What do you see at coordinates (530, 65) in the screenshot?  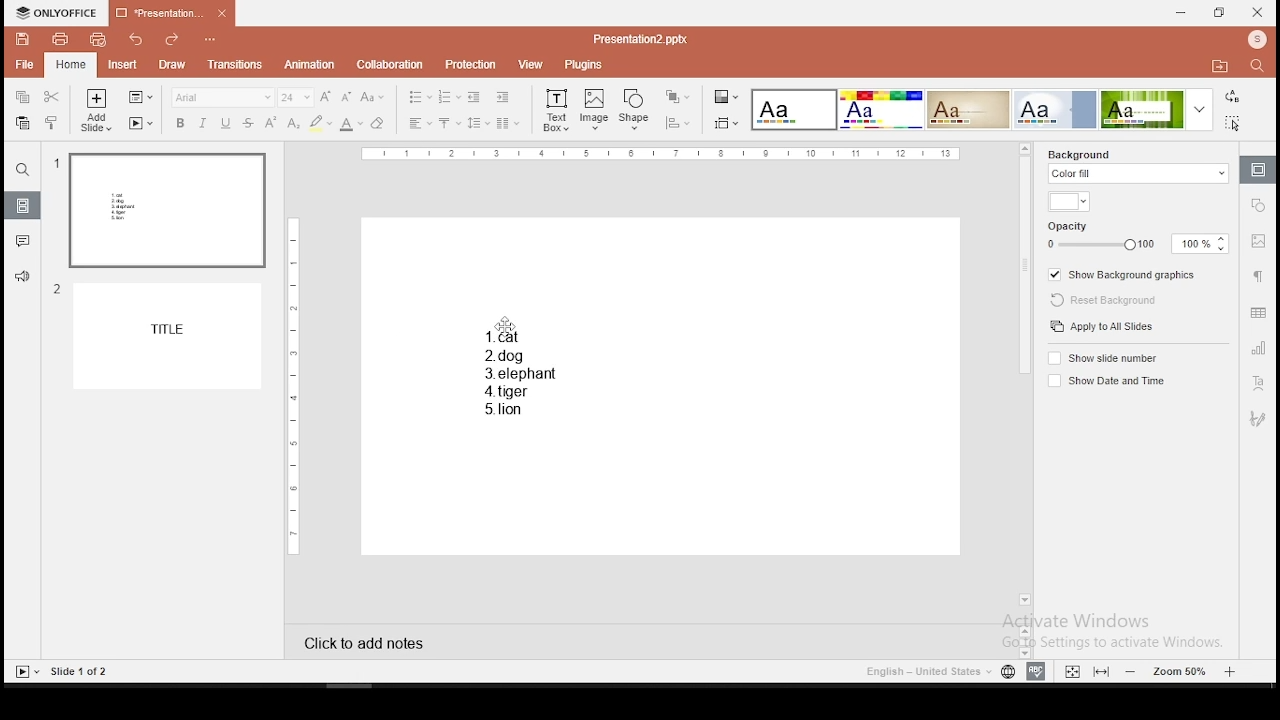 I see `view` at bounding box center [530, 65].